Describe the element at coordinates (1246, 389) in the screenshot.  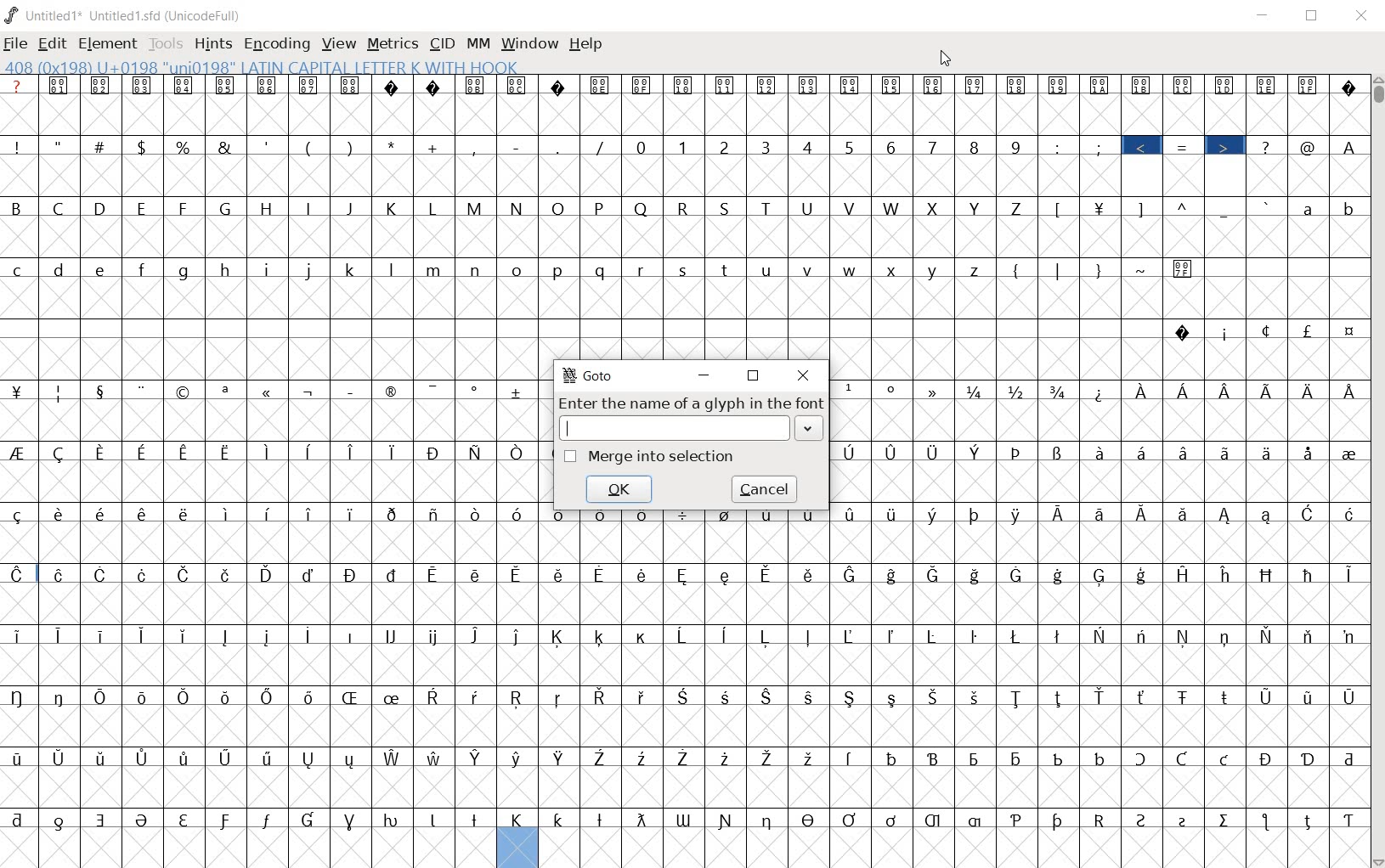
I see `special letters` at that location.